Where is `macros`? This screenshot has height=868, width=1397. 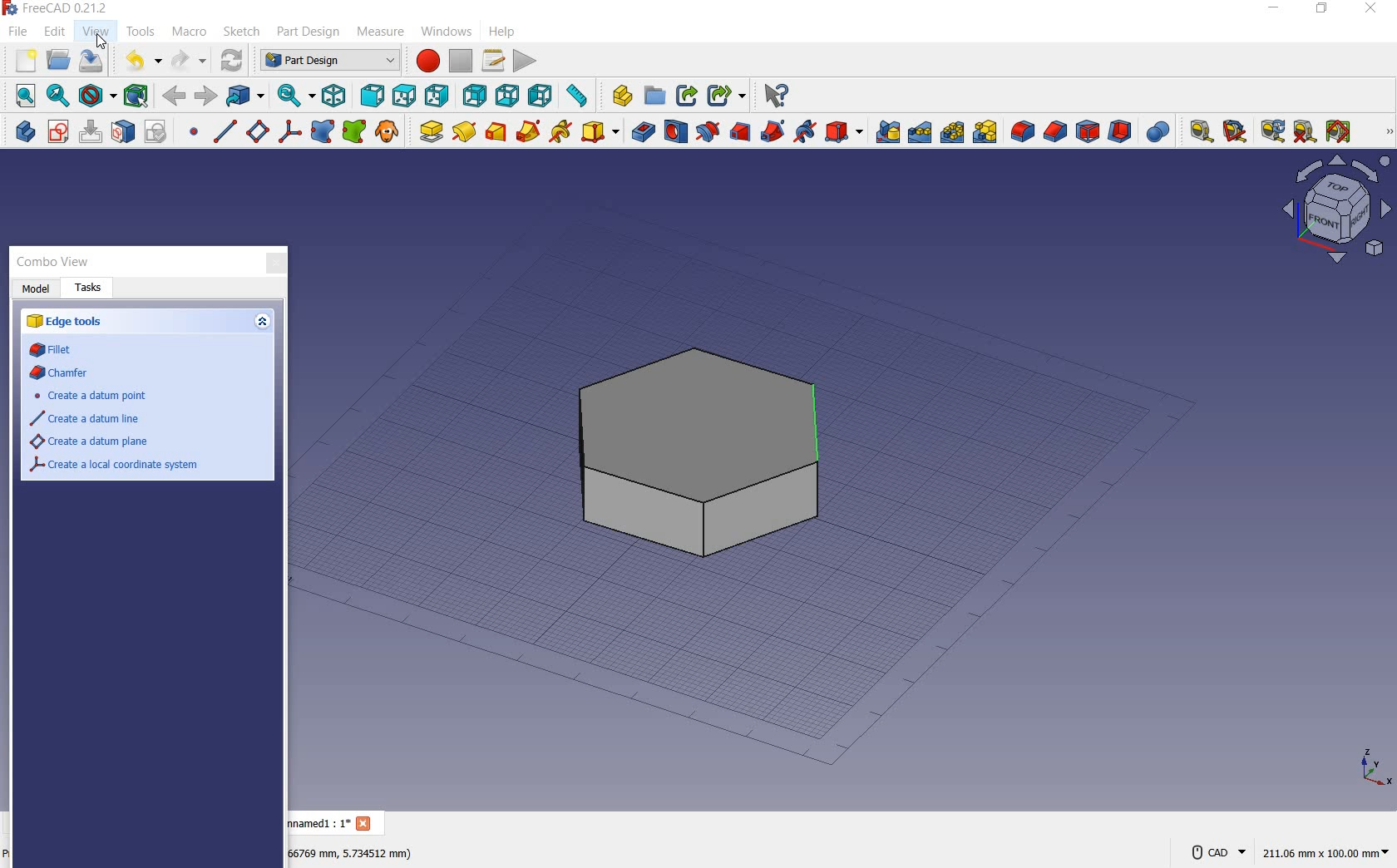 macros is located at coordinates (492, 61).